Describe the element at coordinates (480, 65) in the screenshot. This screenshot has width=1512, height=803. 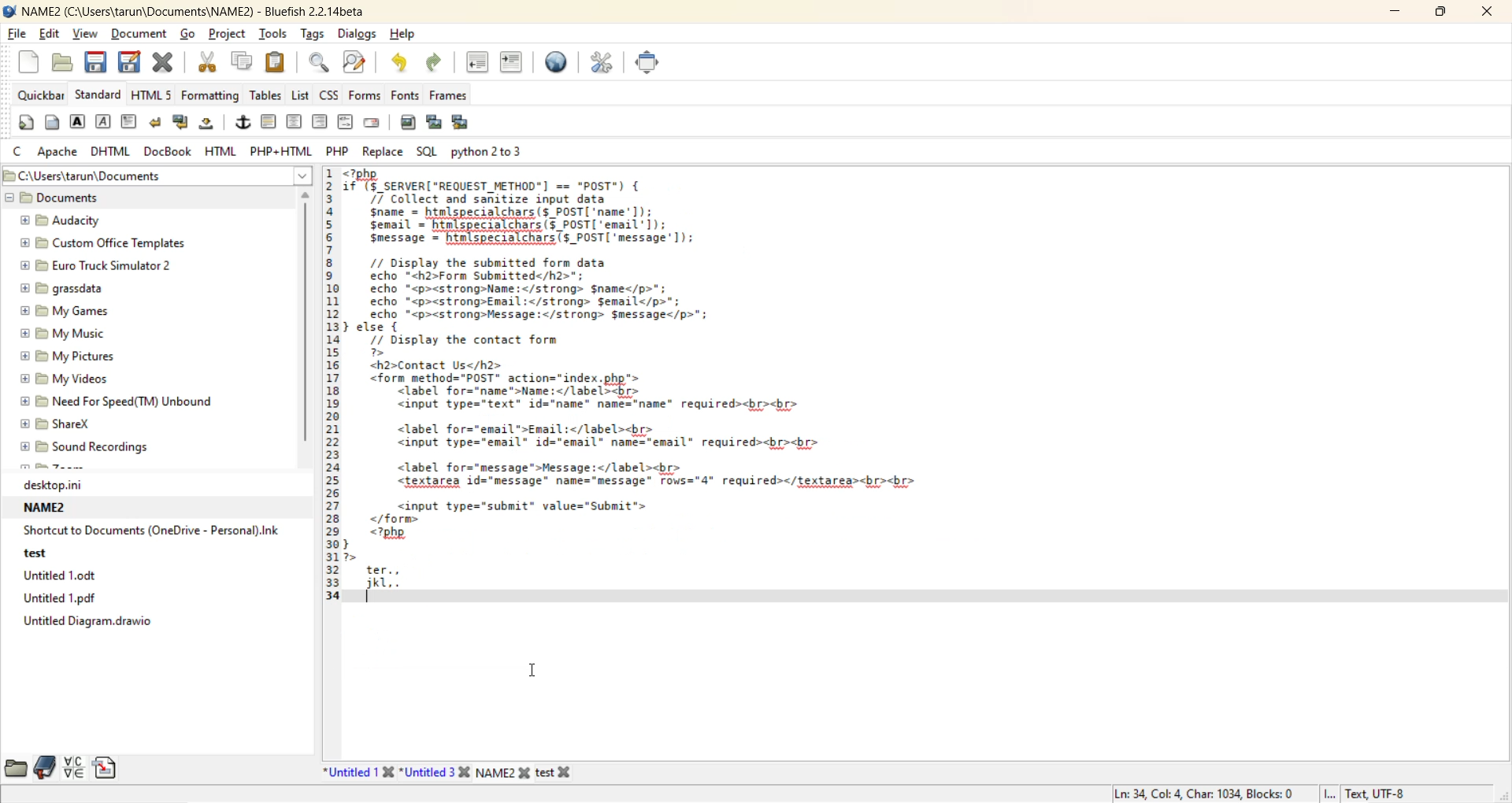
I see `unindent` at that location.